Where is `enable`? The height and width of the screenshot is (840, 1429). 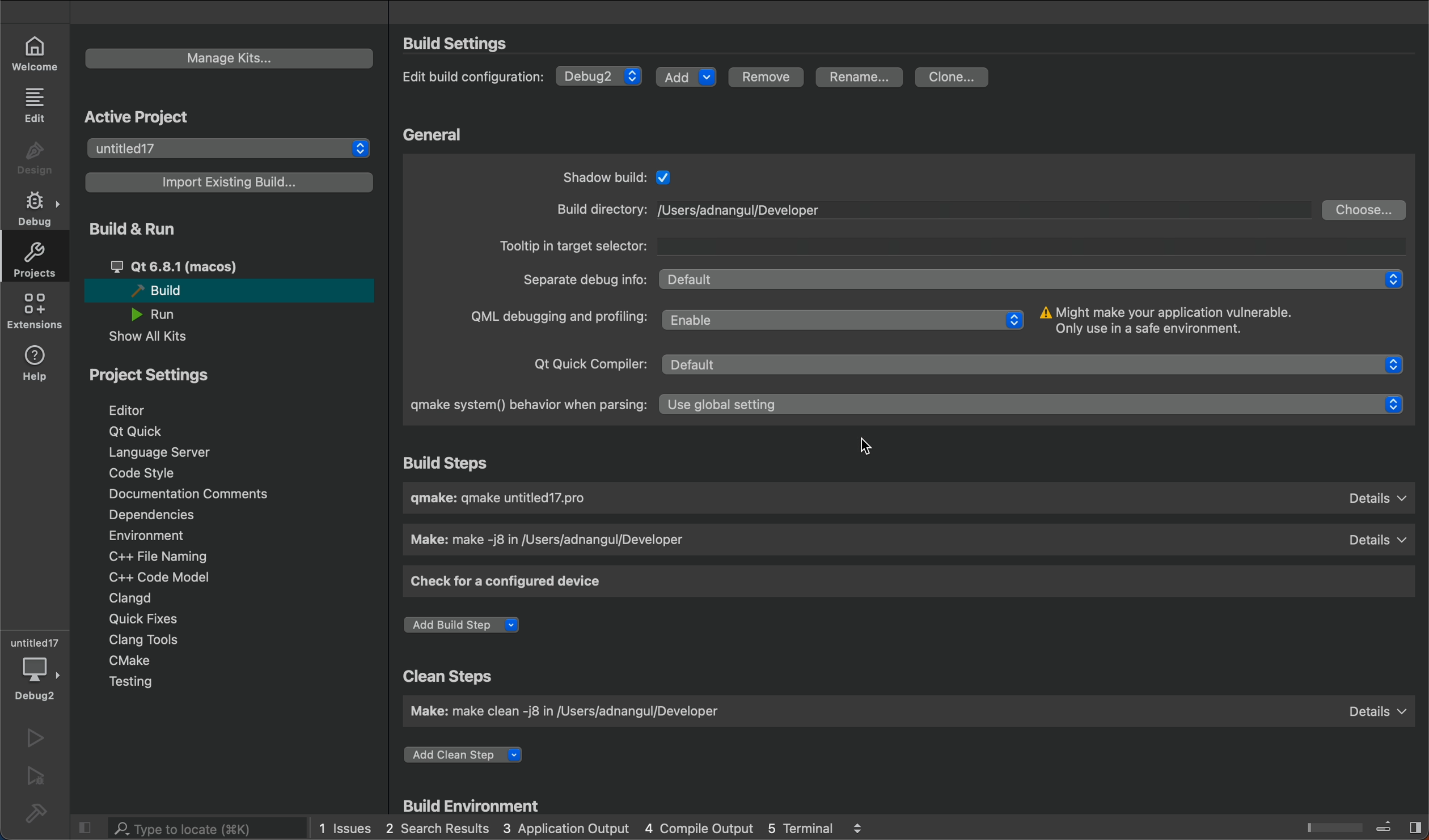
enable is located at coordinates (847, 320).